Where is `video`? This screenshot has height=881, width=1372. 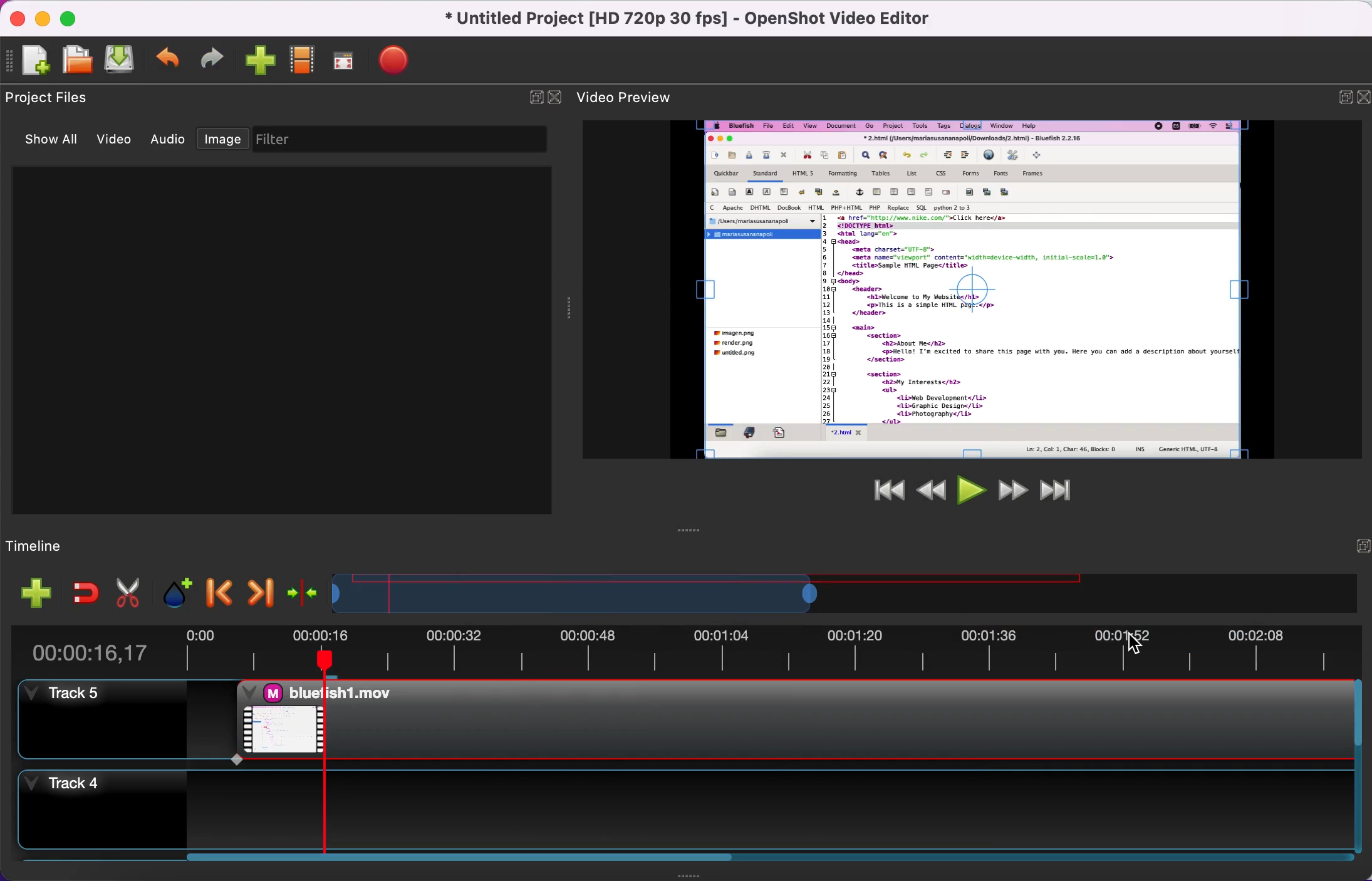 video is located at coordinates (119, 141).